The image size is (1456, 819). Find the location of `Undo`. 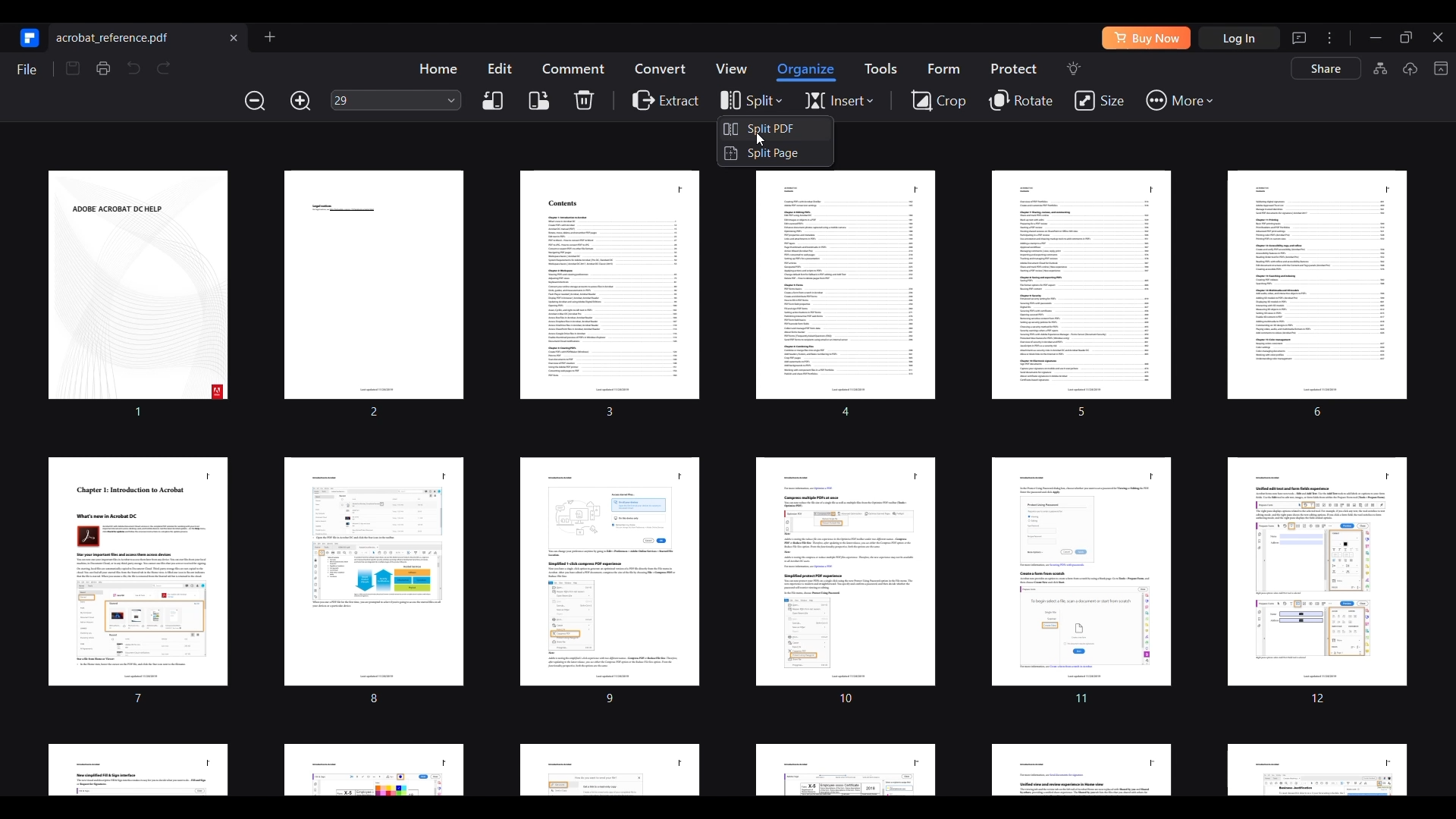

Undo is located at coordinates (133, 67).